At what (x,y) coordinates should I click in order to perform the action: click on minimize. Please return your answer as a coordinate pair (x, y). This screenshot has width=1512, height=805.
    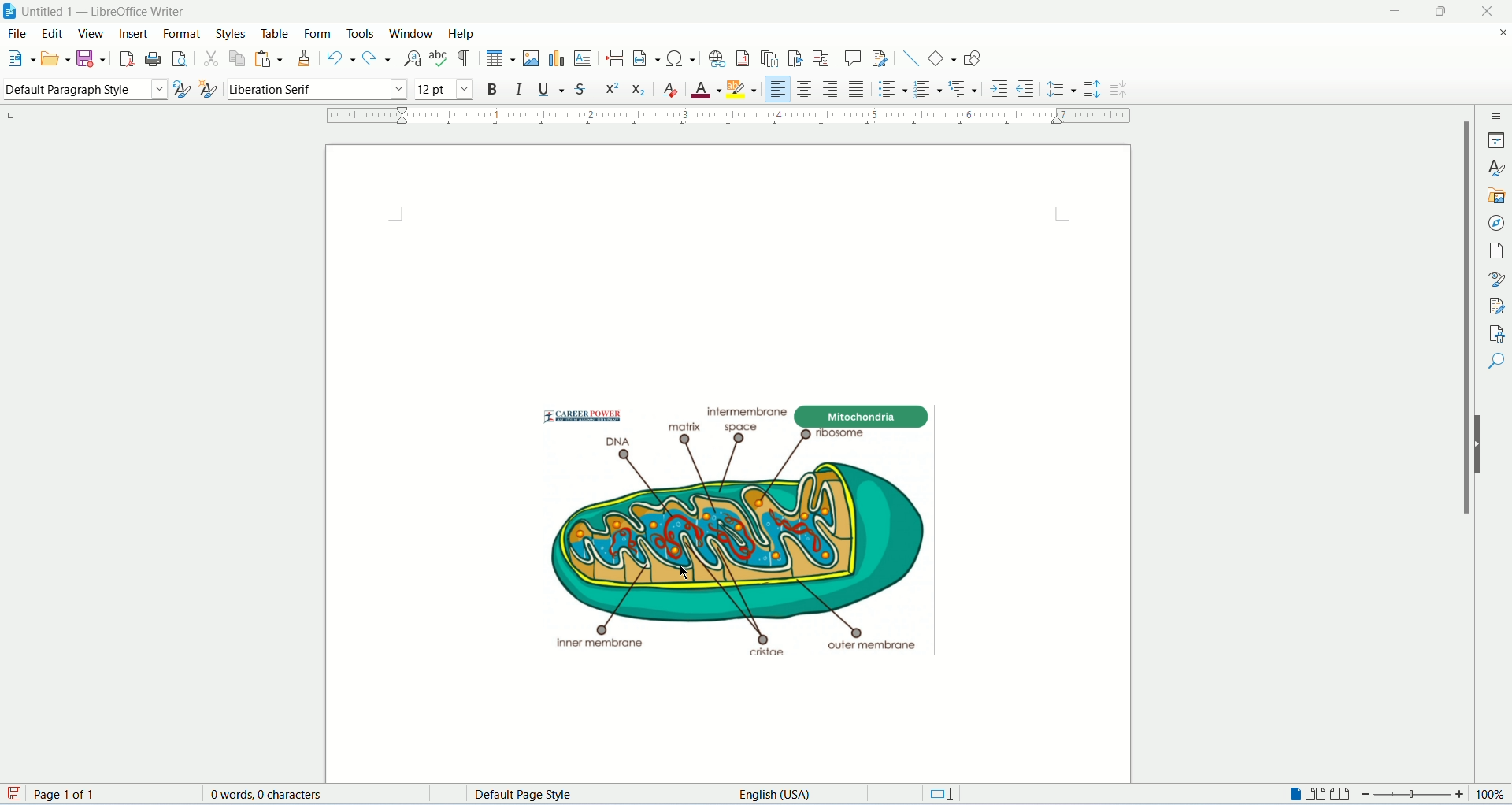
    Looking at the image, I should click on (1398, 12).